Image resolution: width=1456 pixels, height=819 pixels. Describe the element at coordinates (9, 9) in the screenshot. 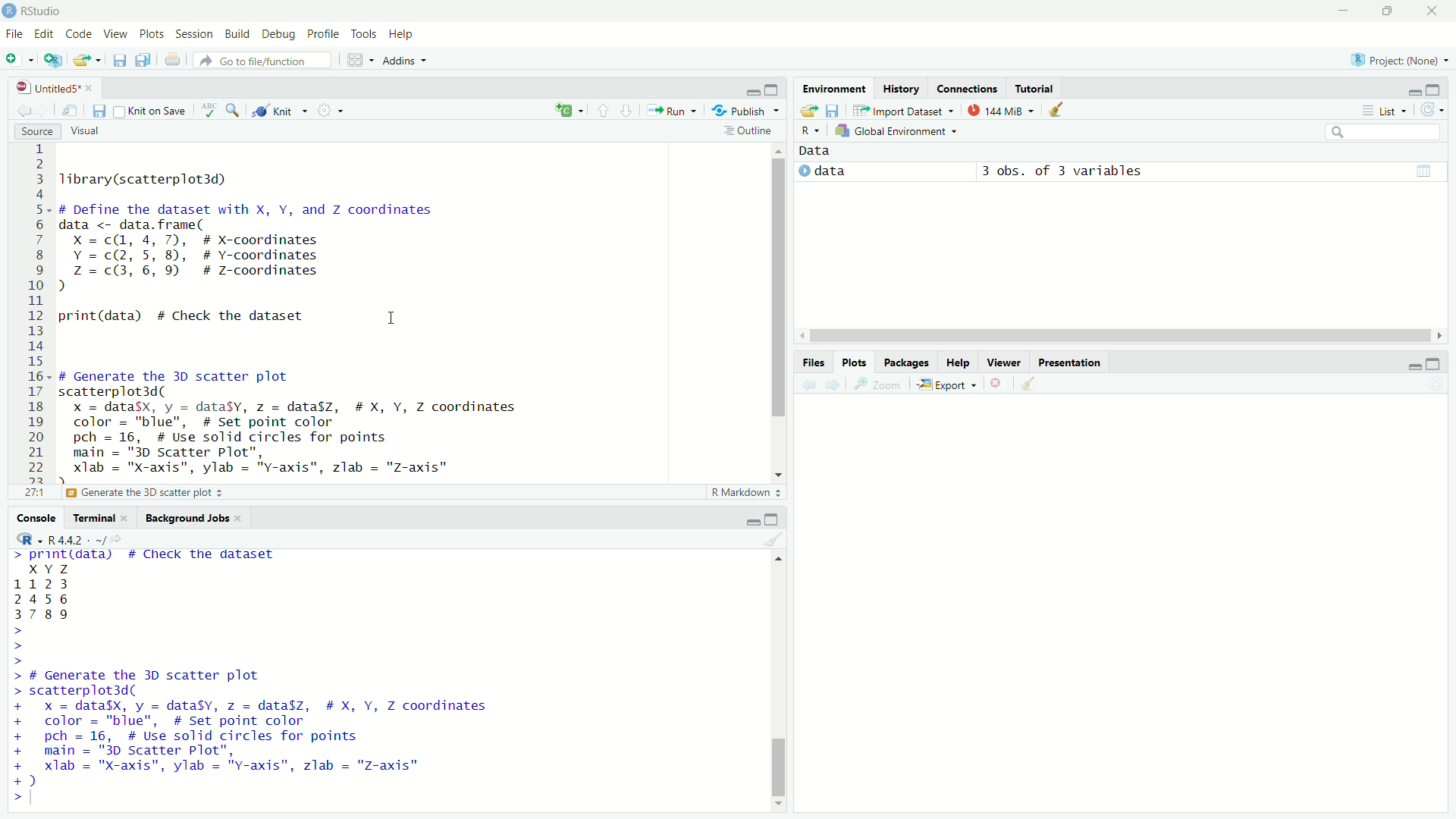

I see `logo` at that location.